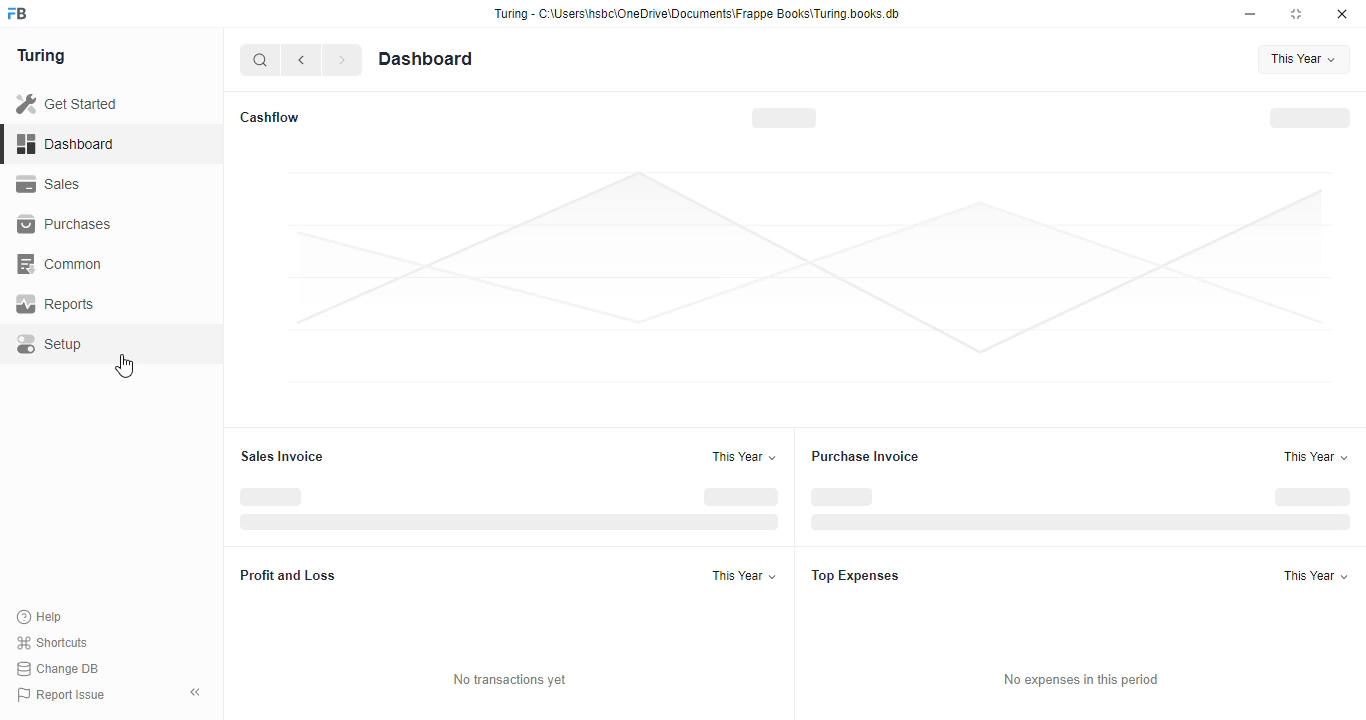 This screenshot has height=720, width=1366. What do you see at coordinates (40, 55) in the screenshot?
I see `turing` at bounding box center [40, 55].